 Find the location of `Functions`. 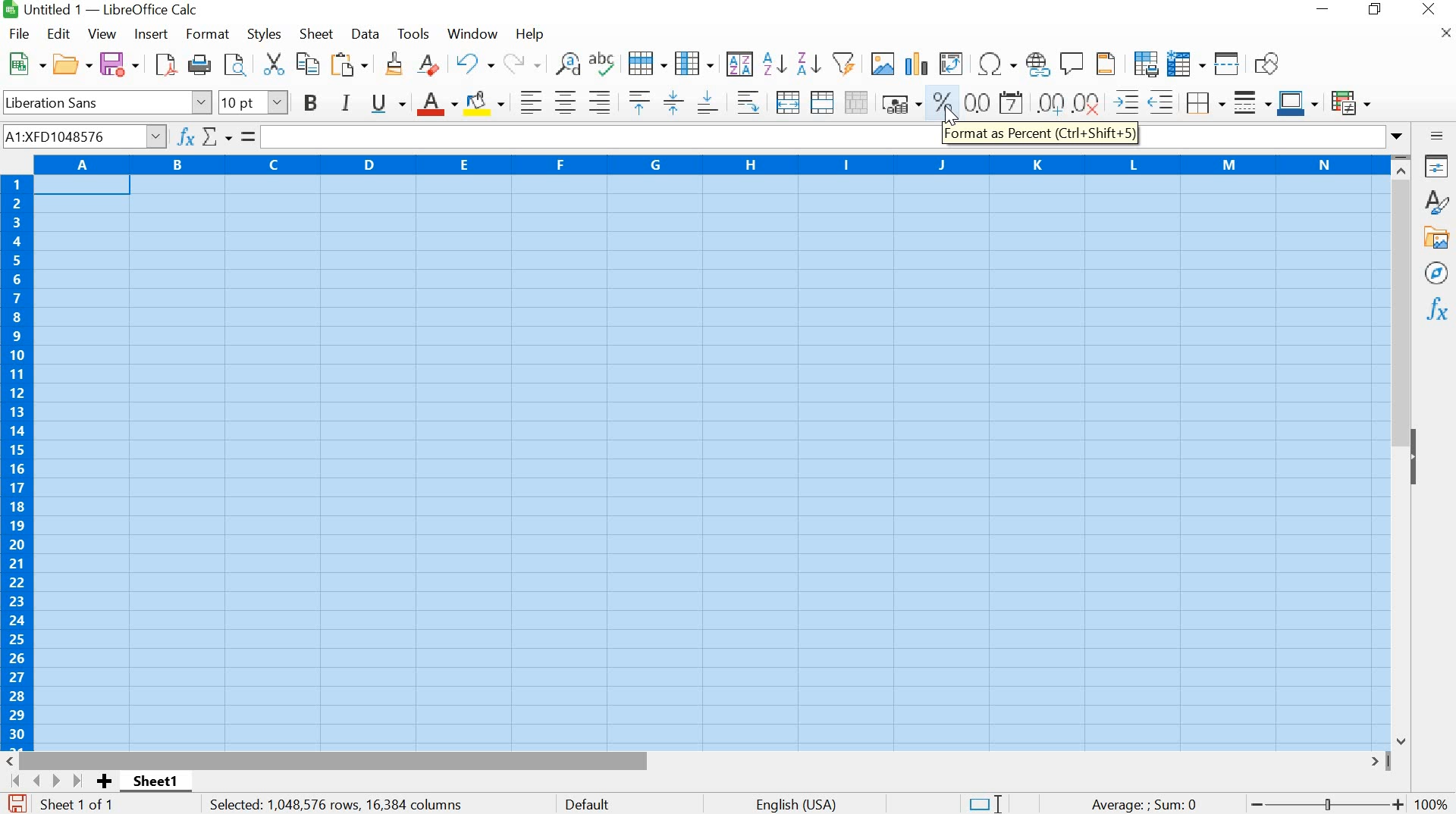

Functions is located at coordinates (1435, 307).